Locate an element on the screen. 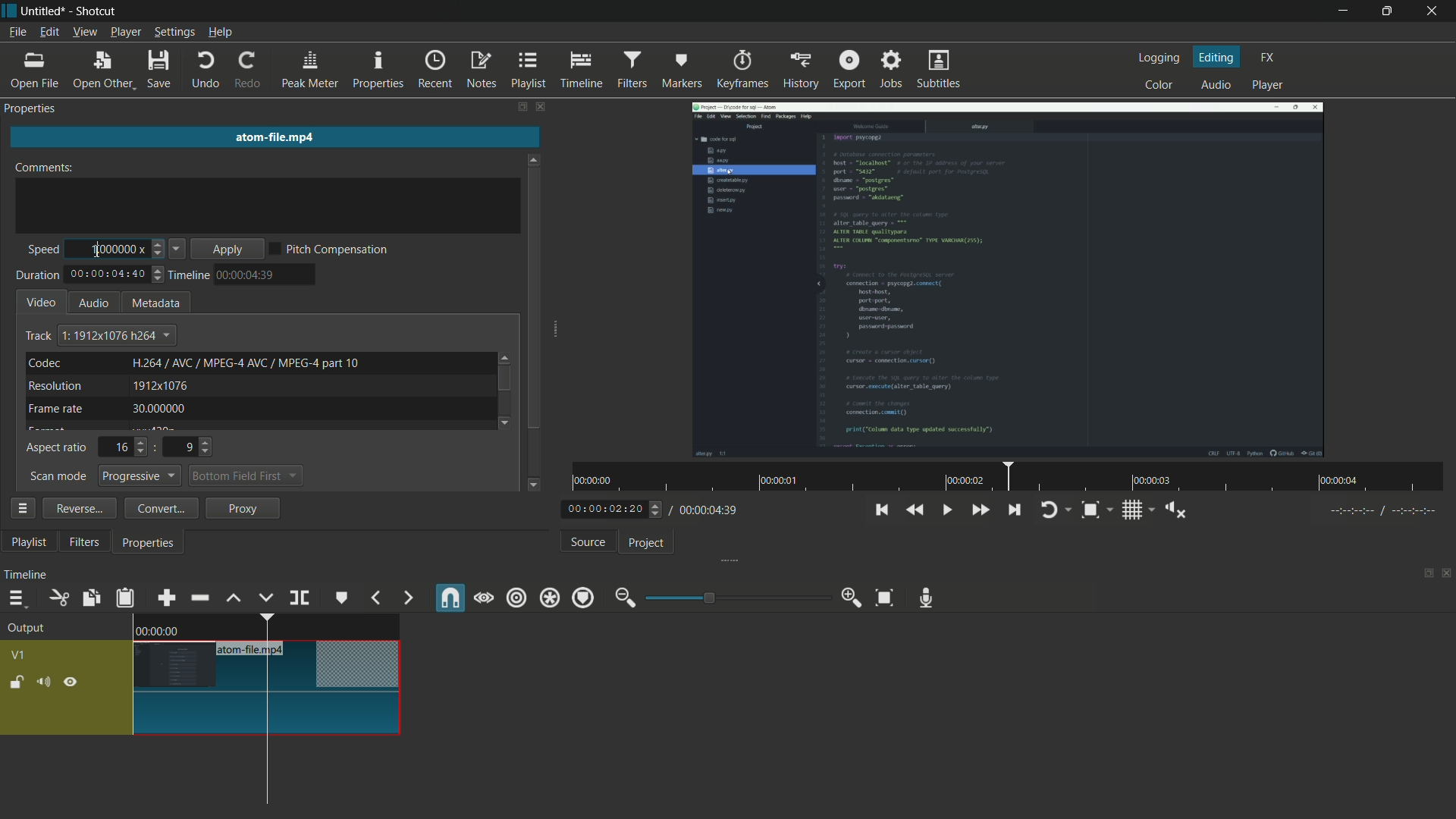  file menu is located at coordinates (18, 33).